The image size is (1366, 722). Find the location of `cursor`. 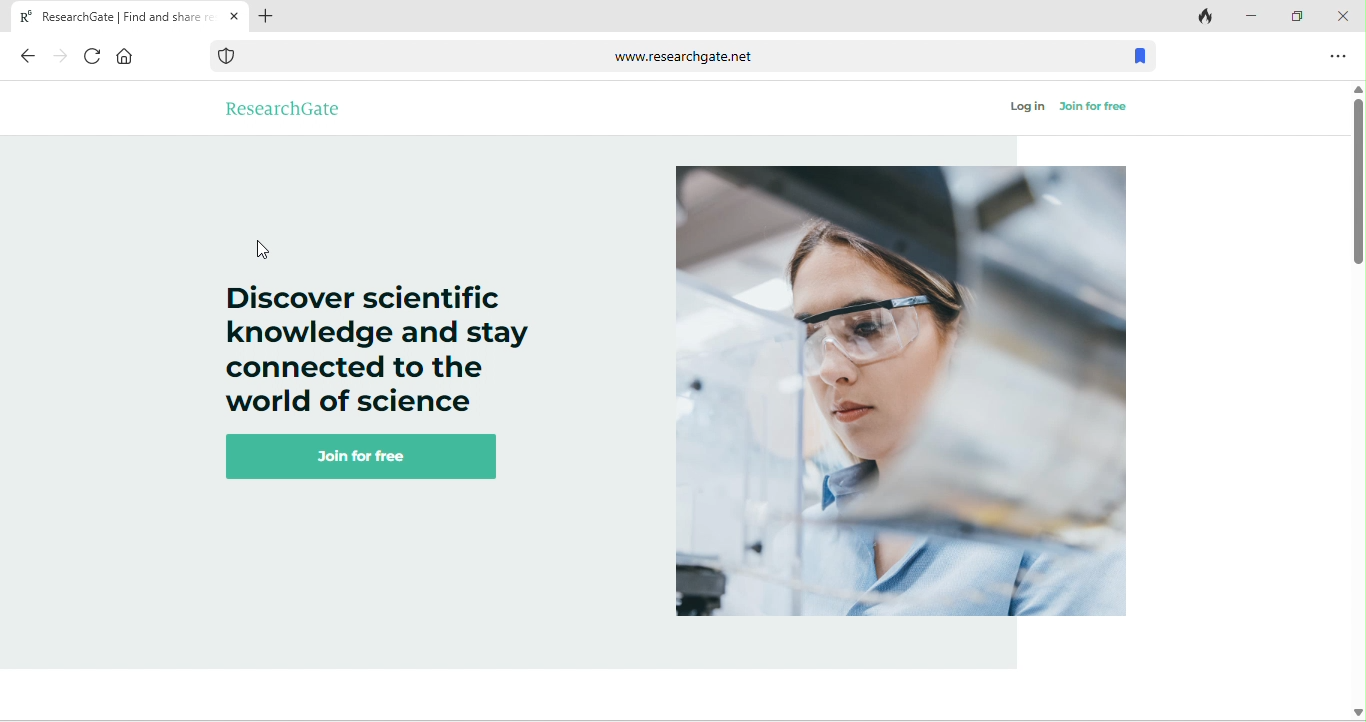

cursor is located at coordinates (263, 250).